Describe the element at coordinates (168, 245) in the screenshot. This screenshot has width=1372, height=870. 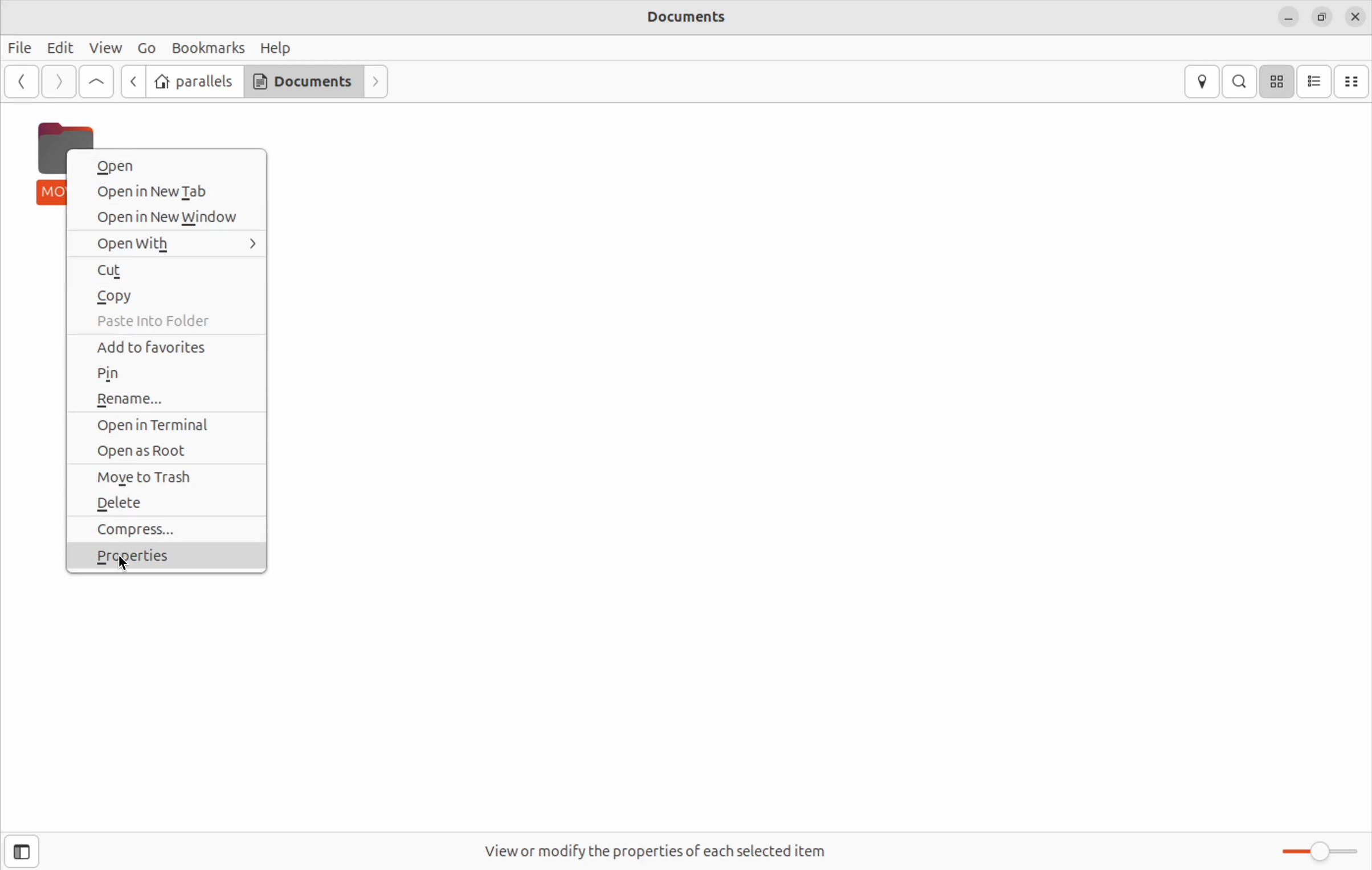
I see `Open With` at that location.